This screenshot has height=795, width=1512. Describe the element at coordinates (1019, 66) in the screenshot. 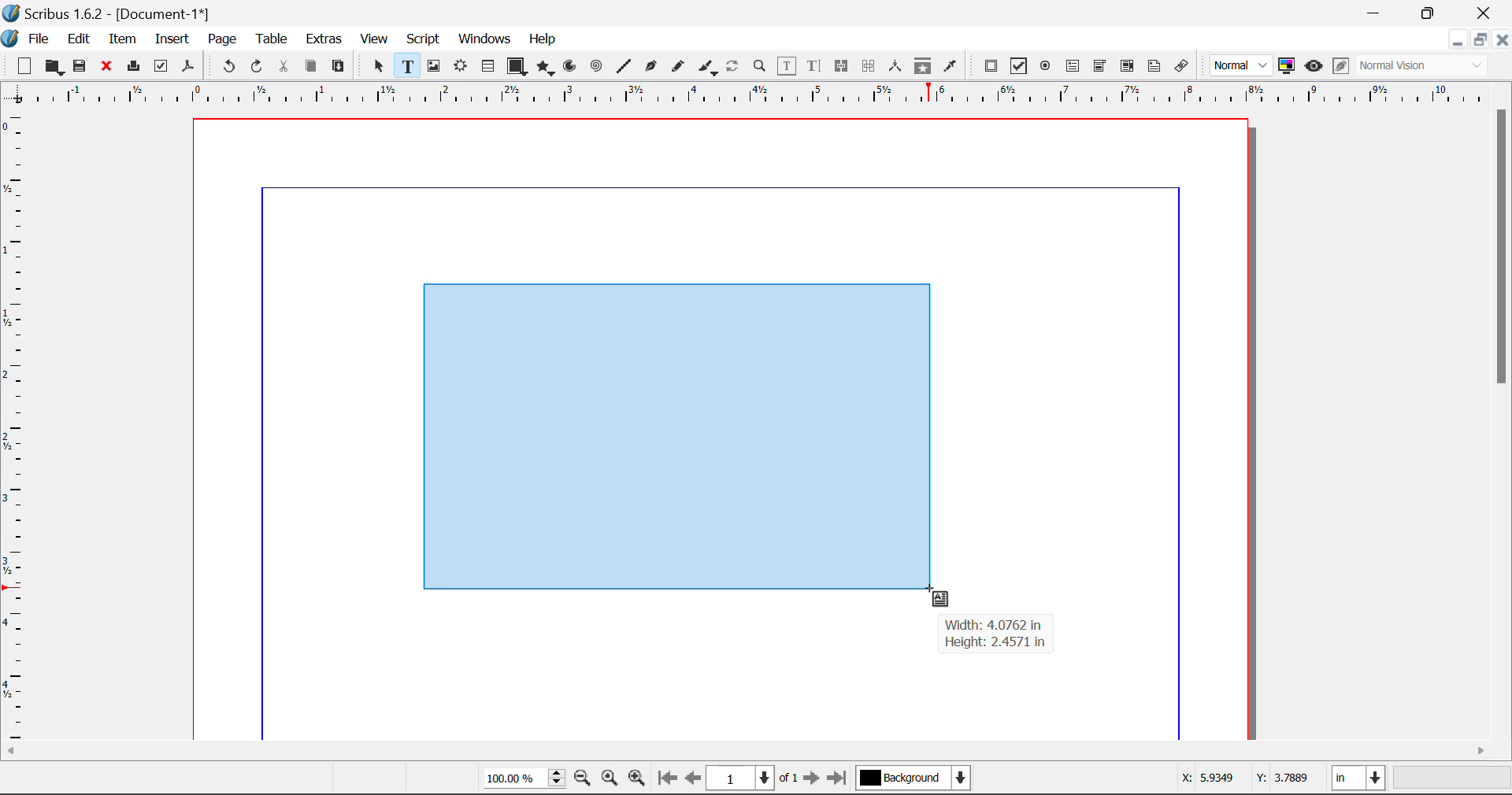

I see `Pdf Checkbox` at that location.